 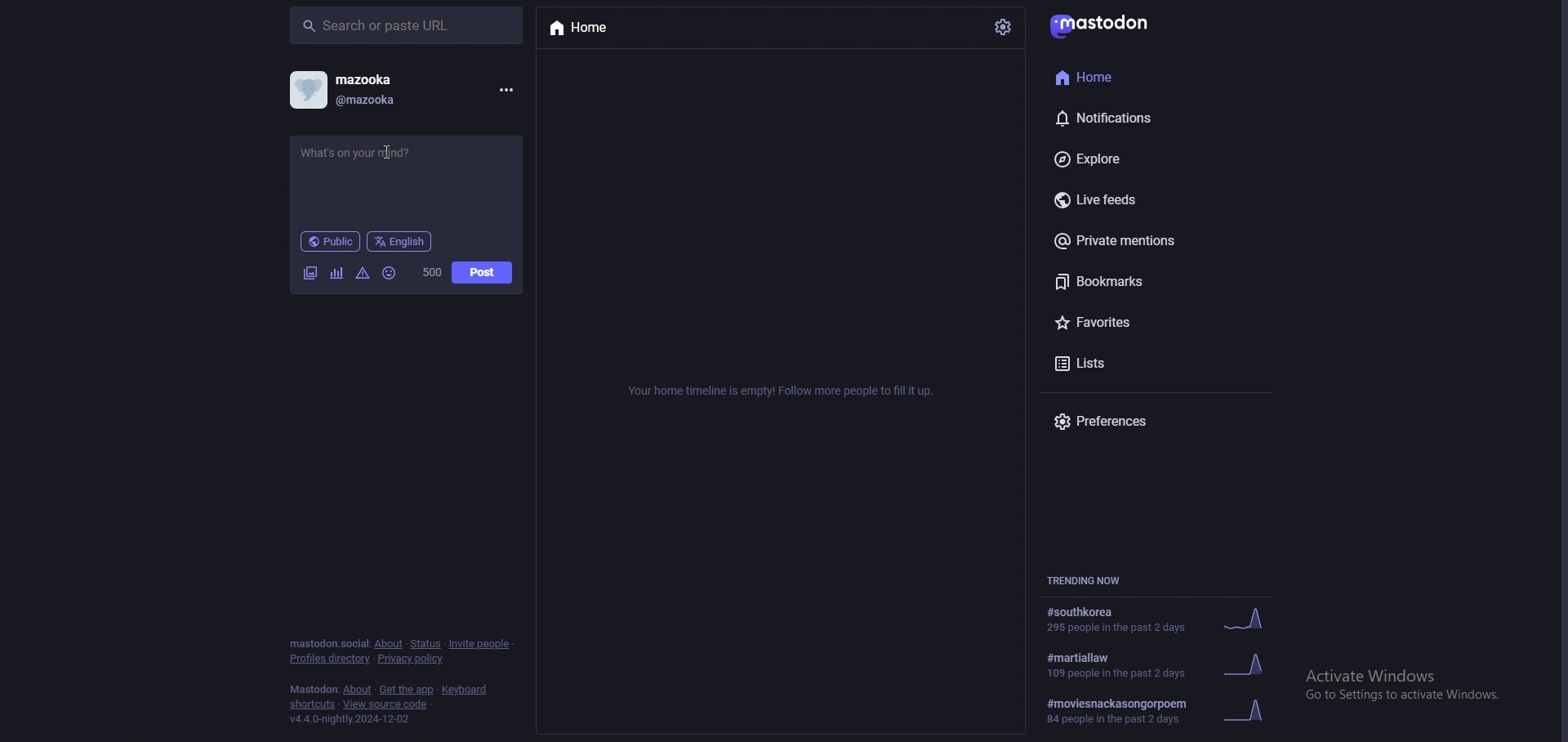 What do you see at coordinates (431, 272) in the screenshot?
I see `word limit` at bounding box center [431, 272].